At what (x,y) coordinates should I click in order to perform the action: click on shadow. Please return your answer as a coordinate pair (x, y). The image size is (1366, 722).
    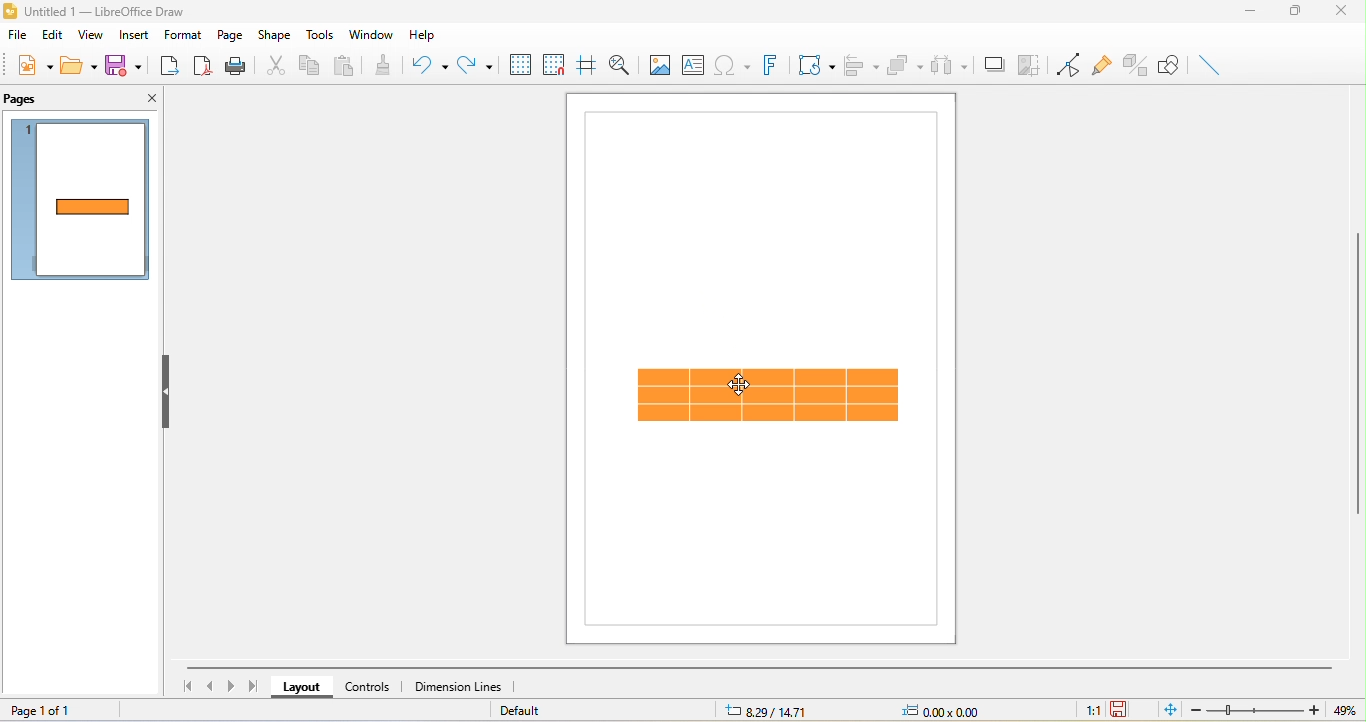
    Looking at the image, I should click on (991, 65).